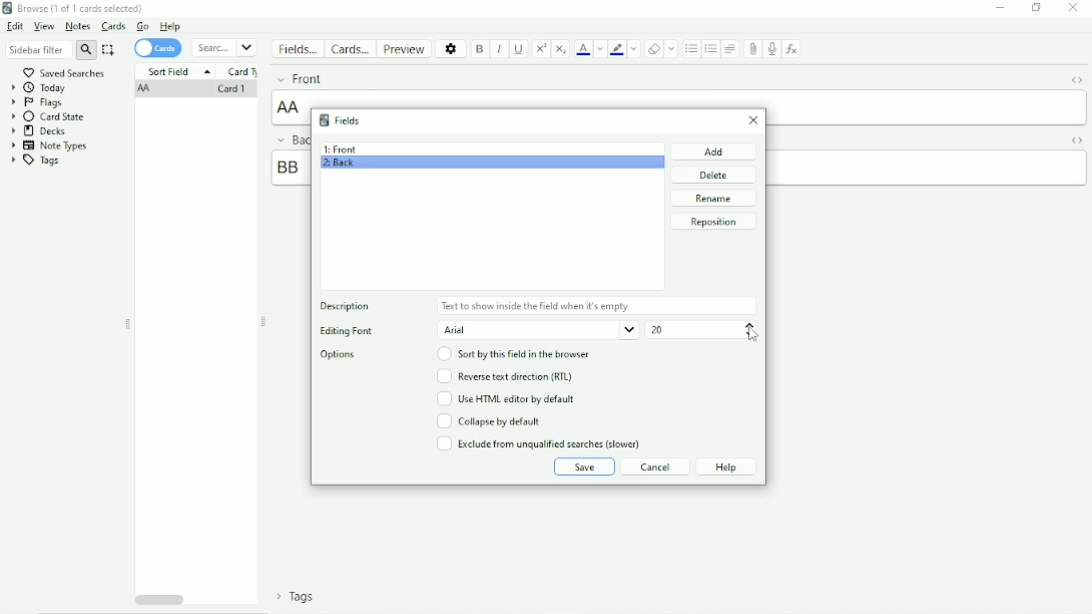  I want to click on Sort by this field in the browser, so click(516, 354).